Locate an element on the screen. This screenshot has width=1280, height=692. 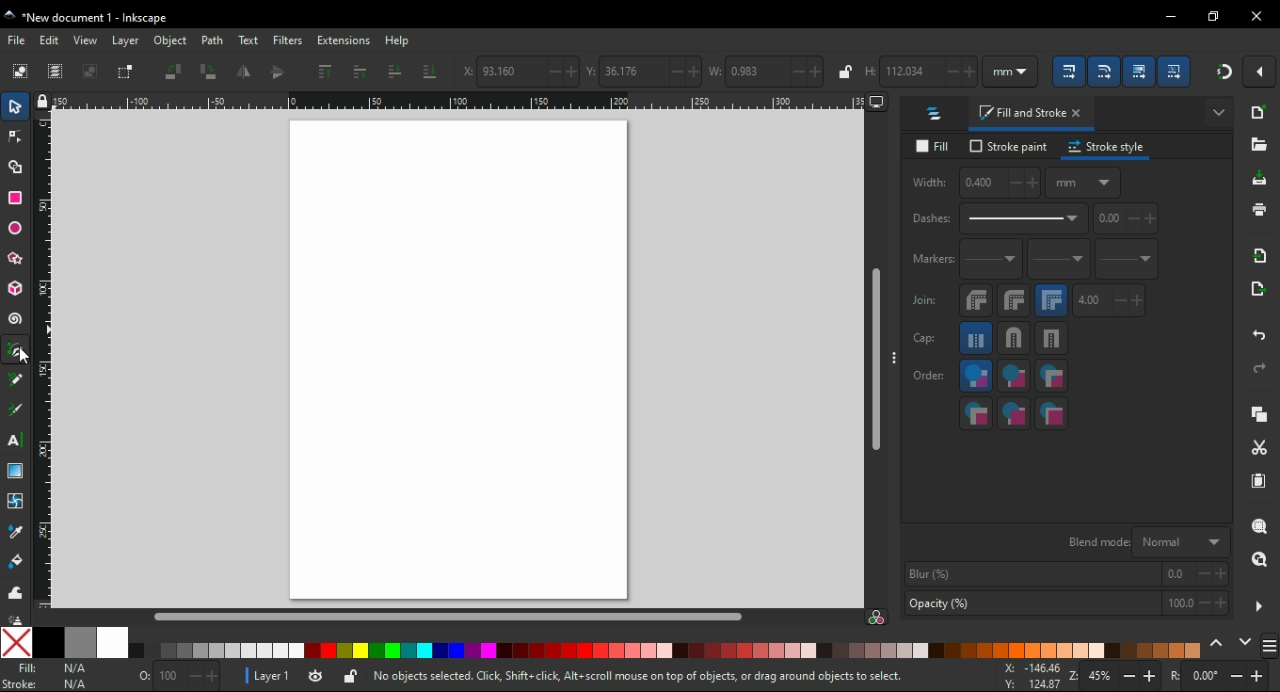
scroll bar is located at coordinates (877, 360).